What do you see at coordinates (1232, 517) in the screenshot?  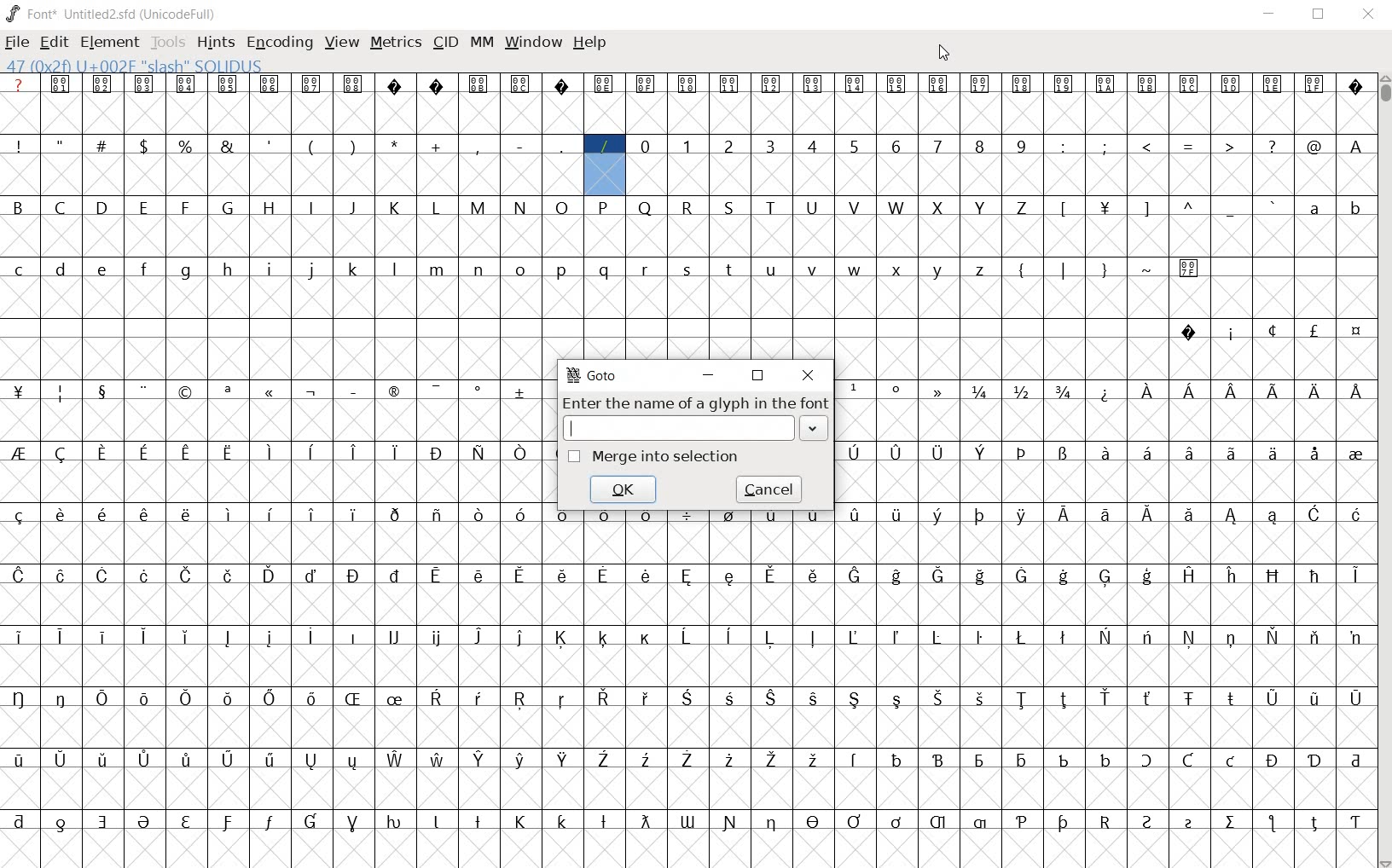 I see `glyph` at bounding box center [1232, 517].